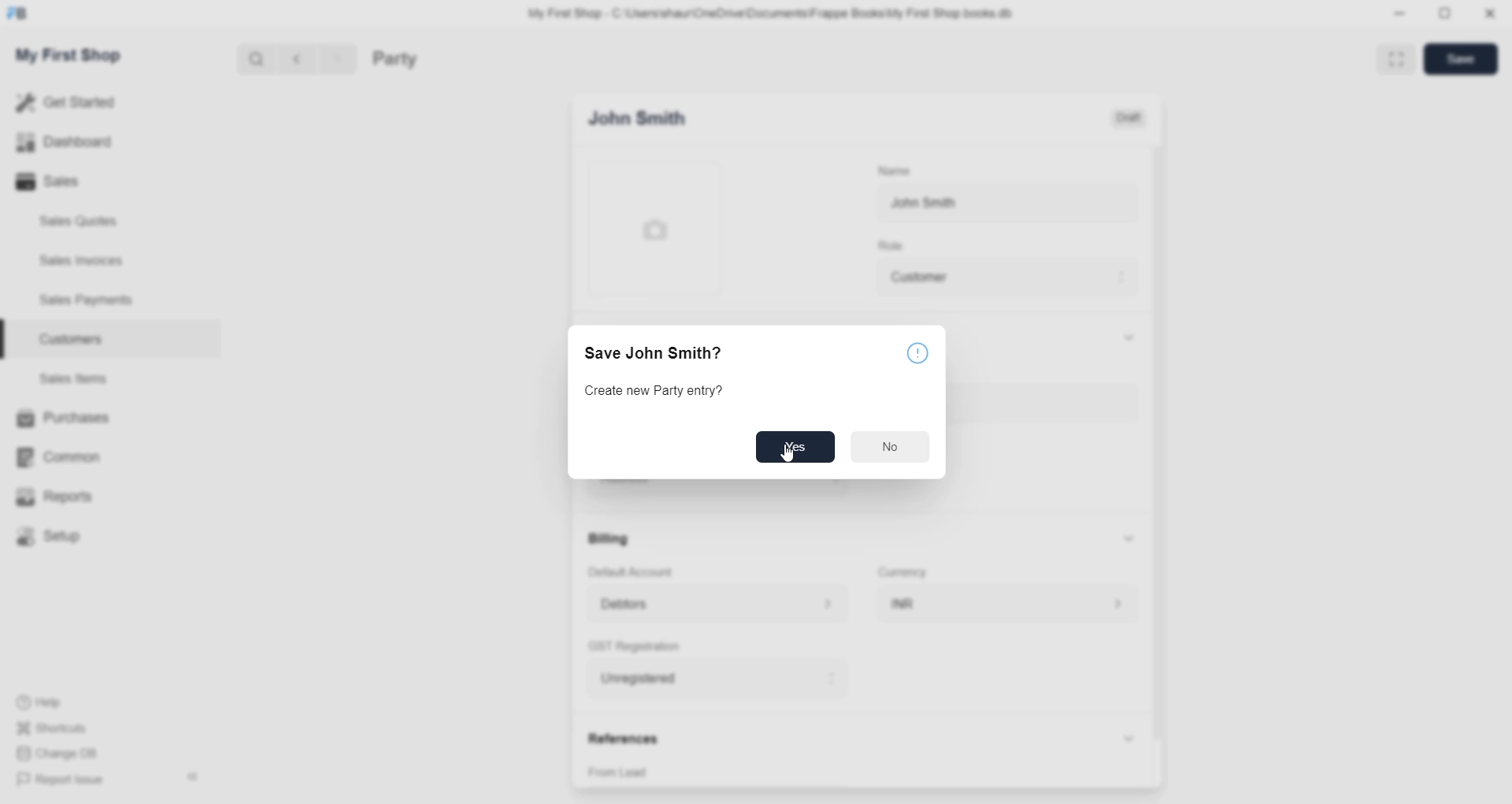 This screenshot has width=1512, height=804. Describe the element at coordinates (21, 17) in the screenshot. I see `frappe book Logo` at that location.